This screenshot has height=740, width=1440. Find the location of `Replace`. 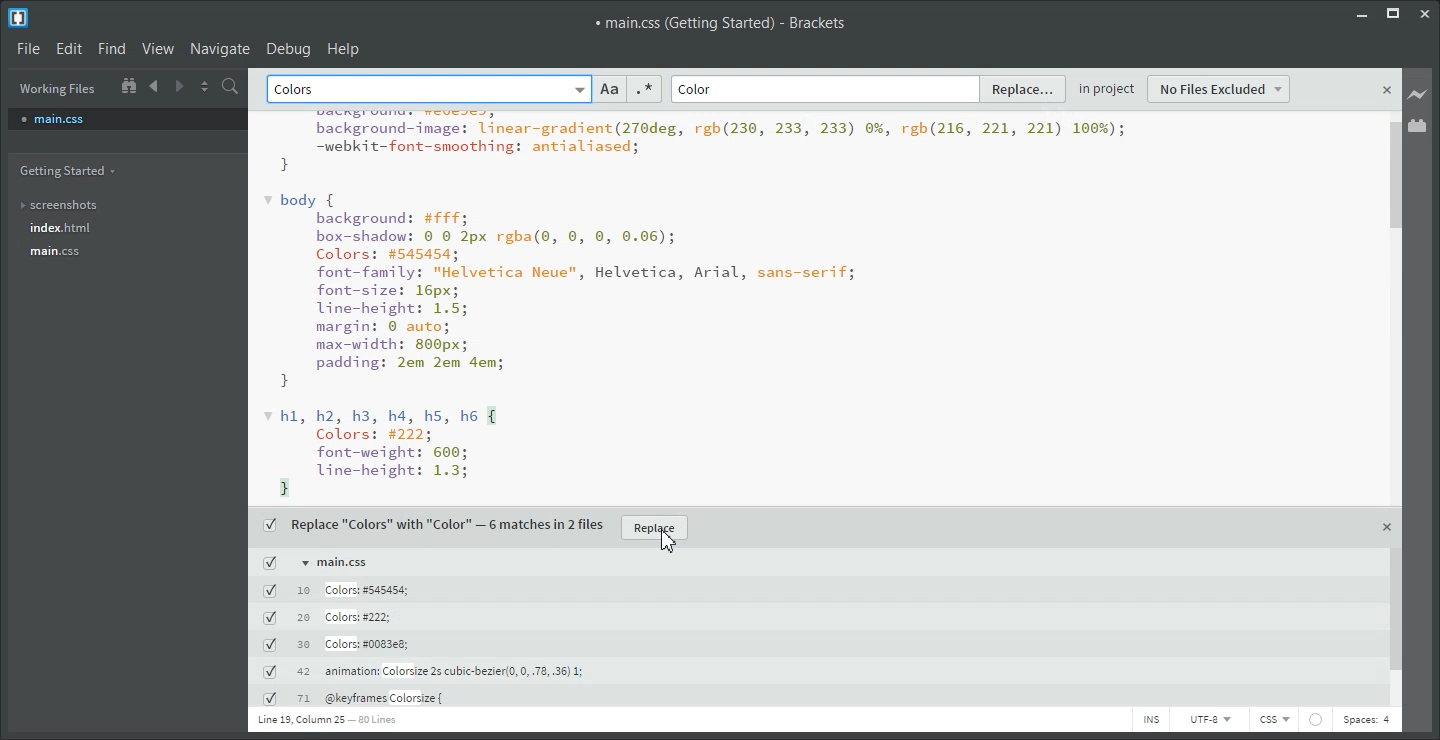

Replace is located at coordinates (655, 528).